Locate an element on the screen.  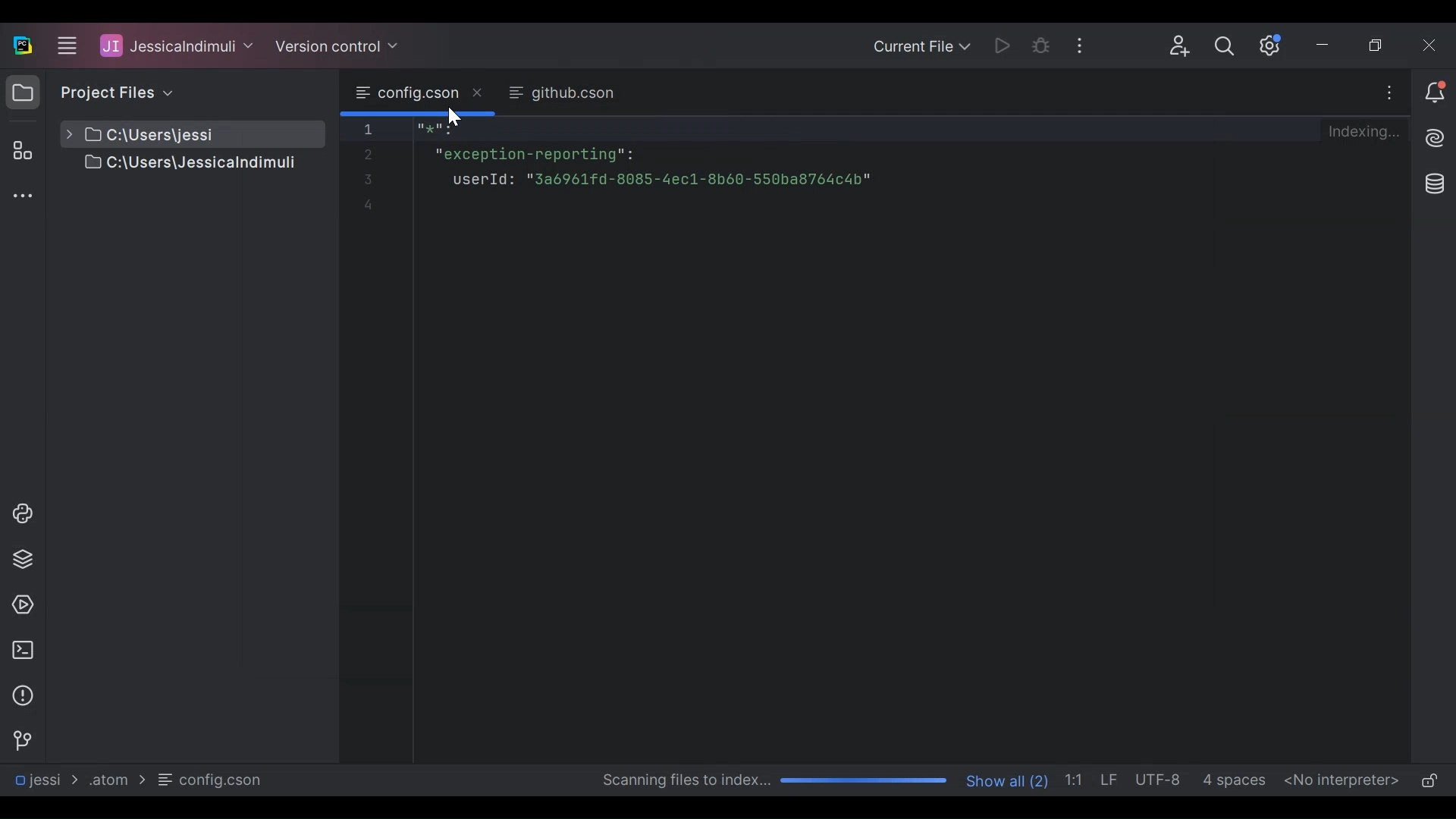
Line Separator is located at coordinates (1111, 780).